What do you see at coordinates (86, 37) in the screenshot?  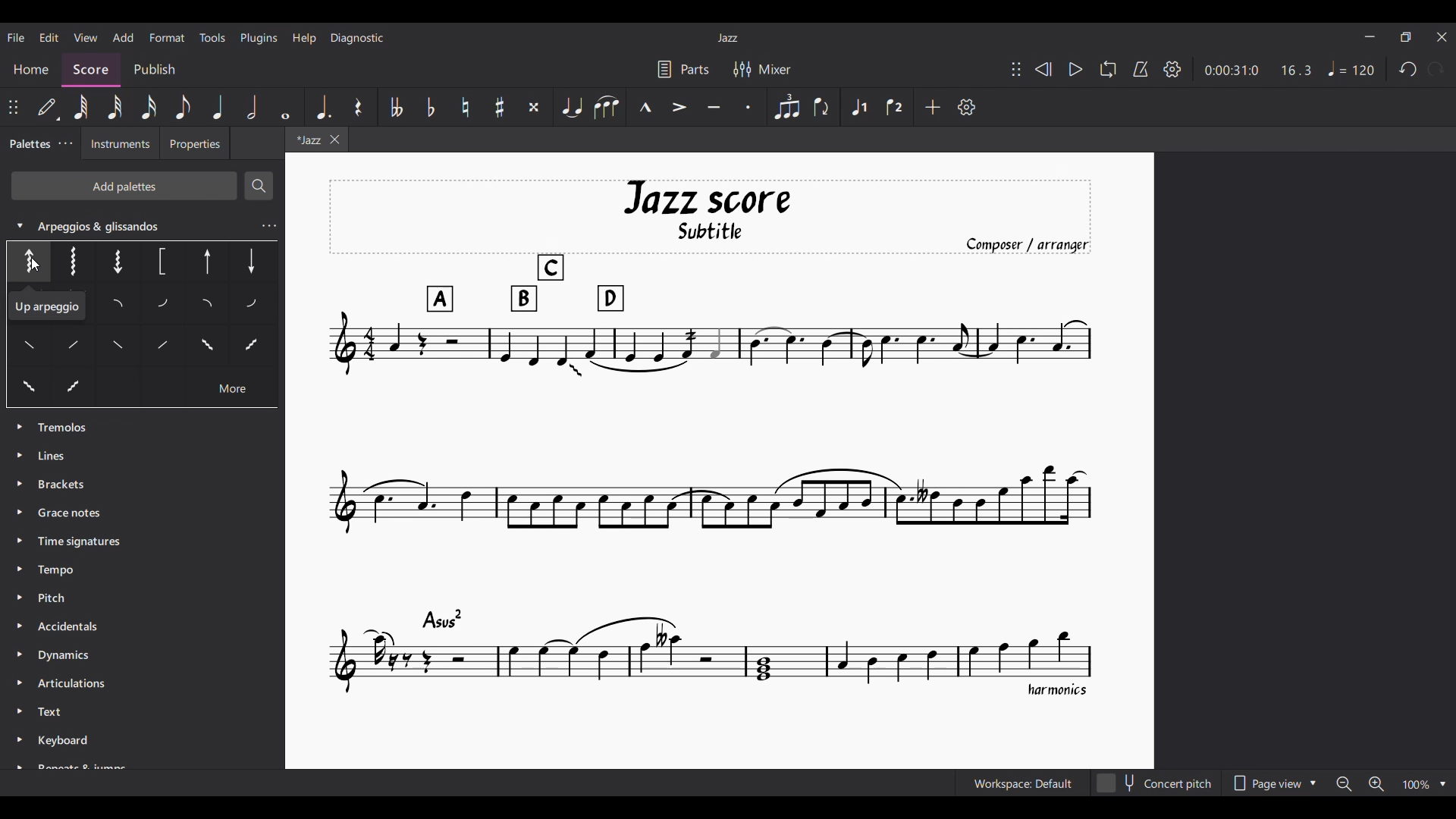 I see `View menu` at bounding box center [86, 37].